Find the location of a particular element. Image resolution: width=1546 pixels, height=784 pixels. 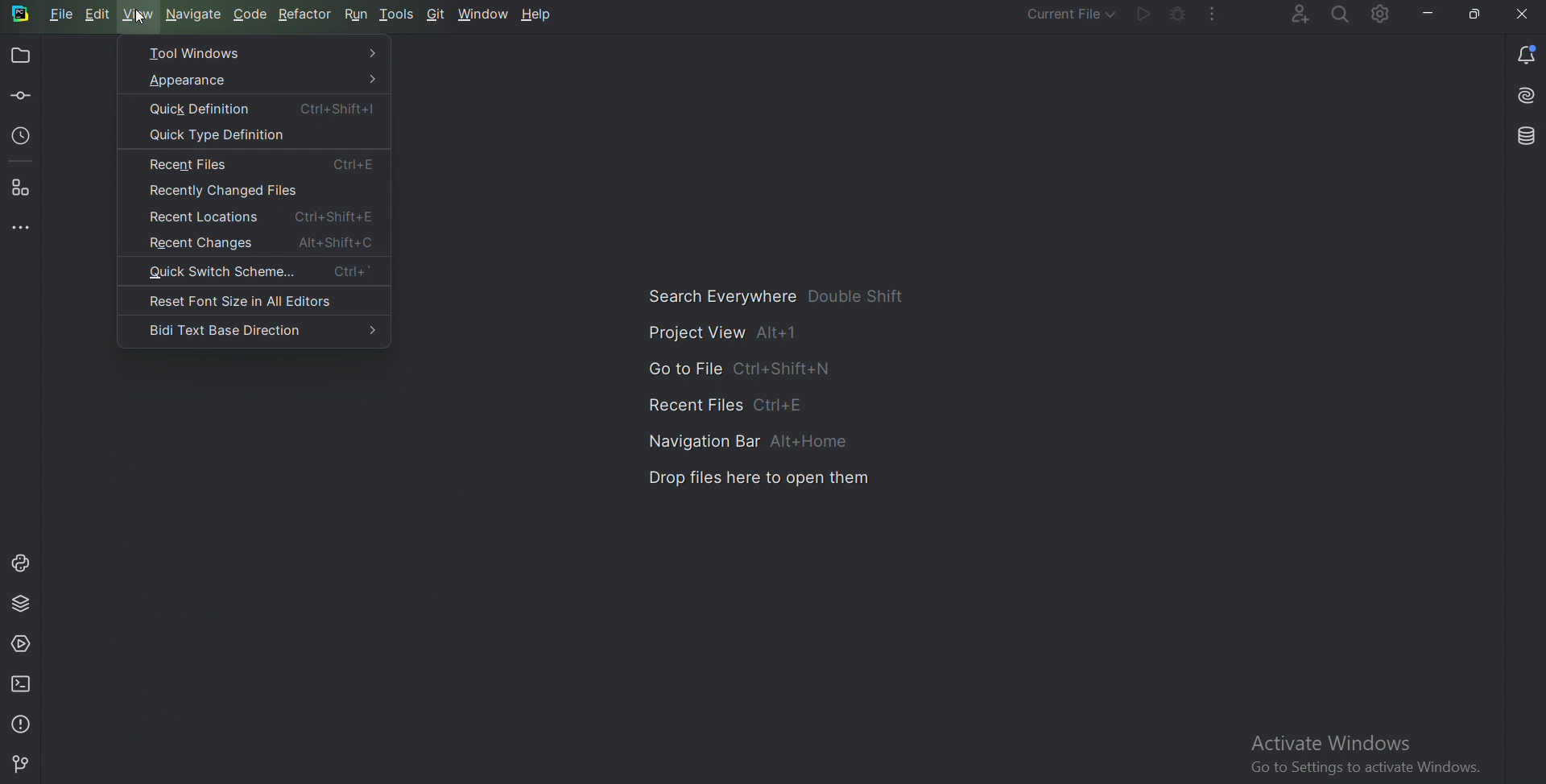

Refactor is located at coordinates (305, 14).